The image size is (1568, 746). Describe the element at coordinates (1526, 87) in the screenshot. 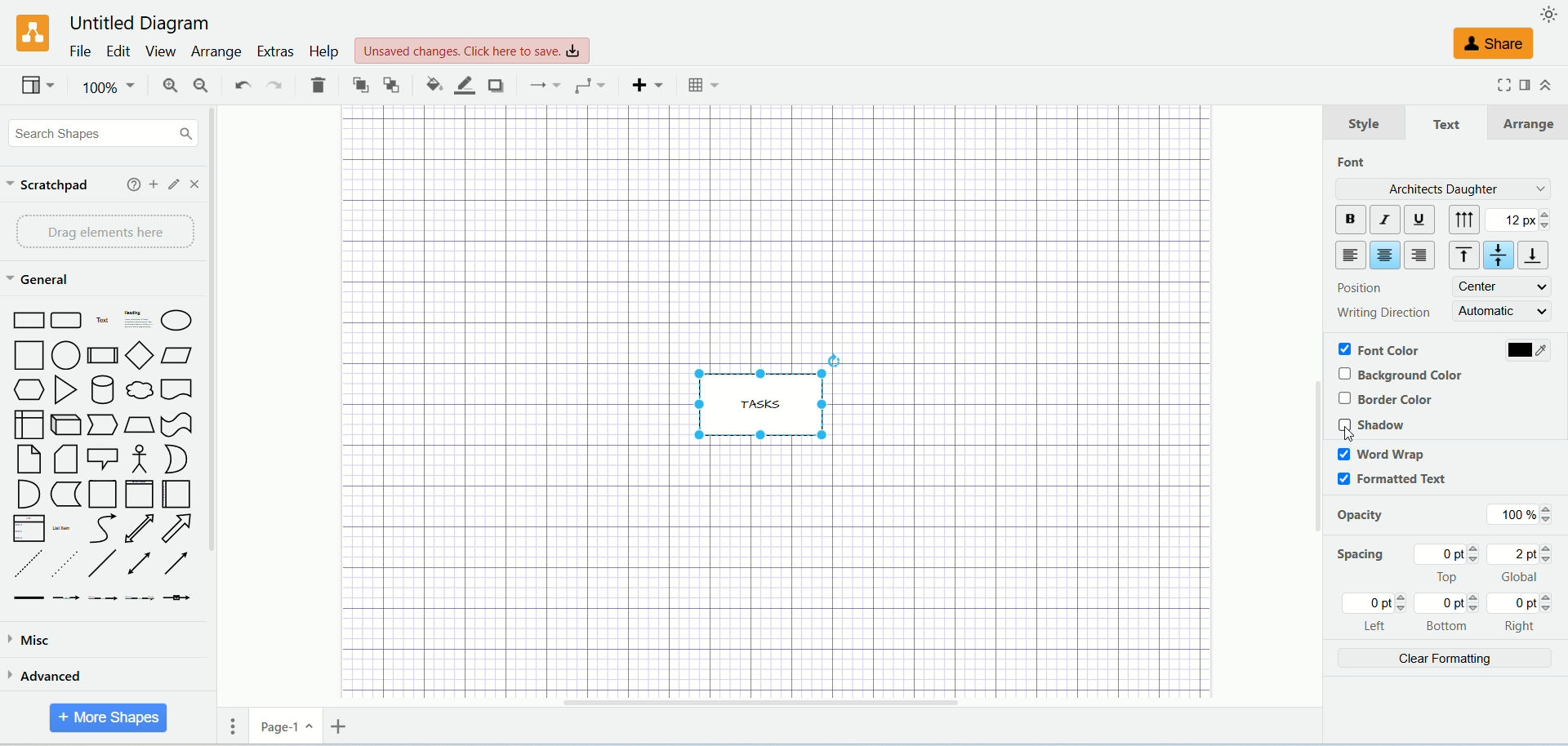

I see `format` at that location.